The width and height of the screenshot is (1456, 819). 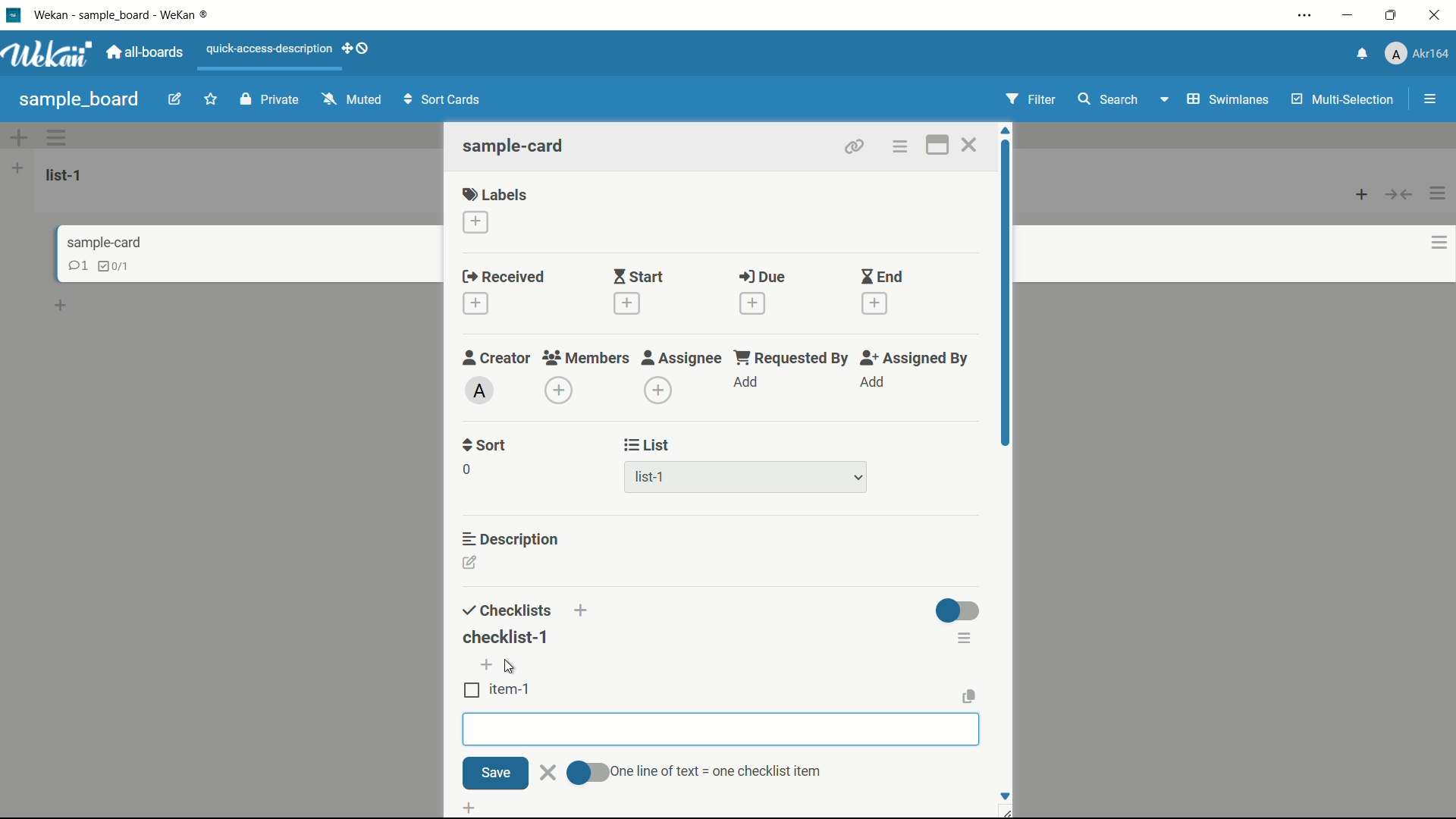 I want to click on menu, so click(x=1429, y=98).